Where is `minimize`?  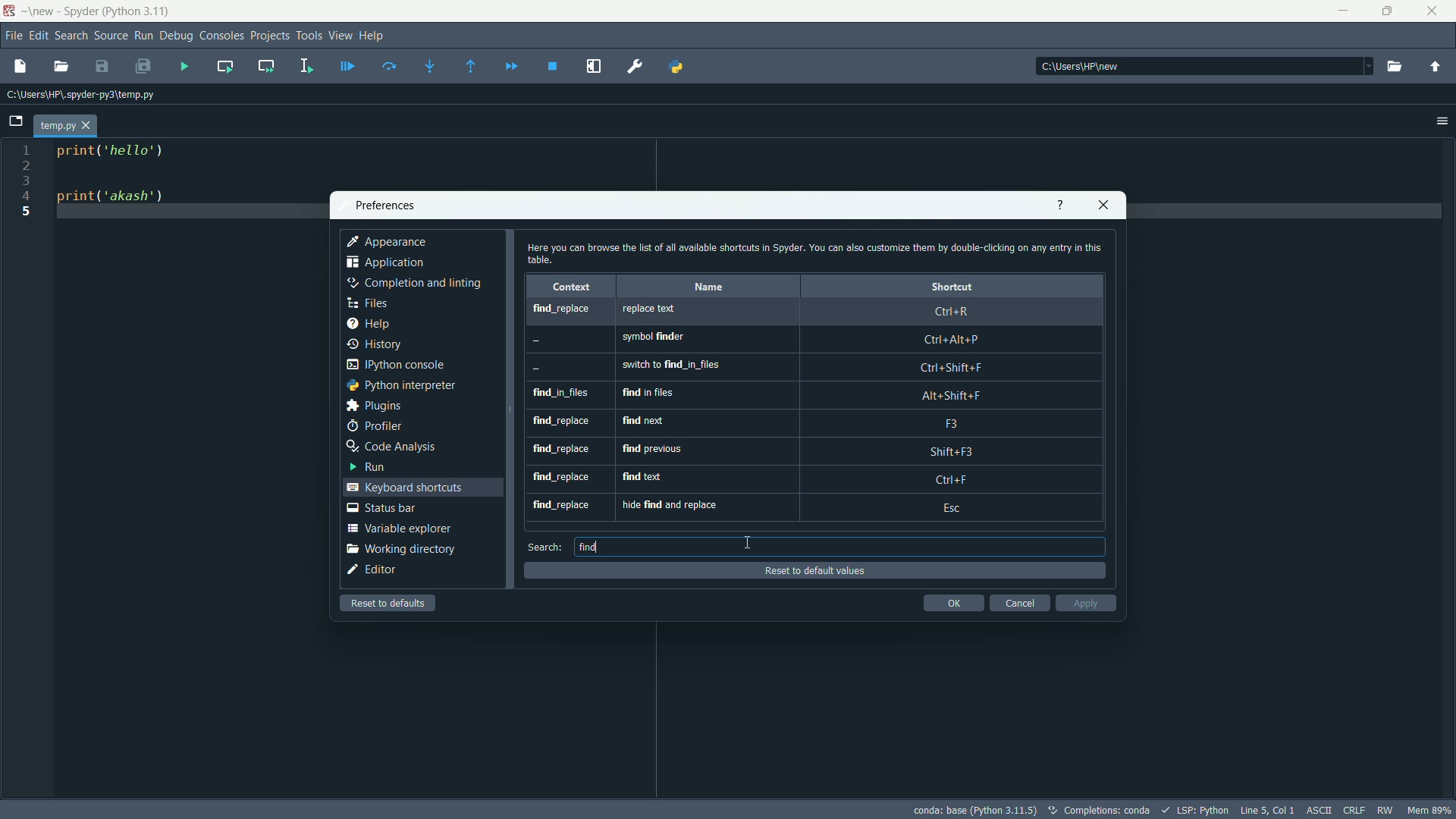 minimize is located at coordinates (1341, 9).